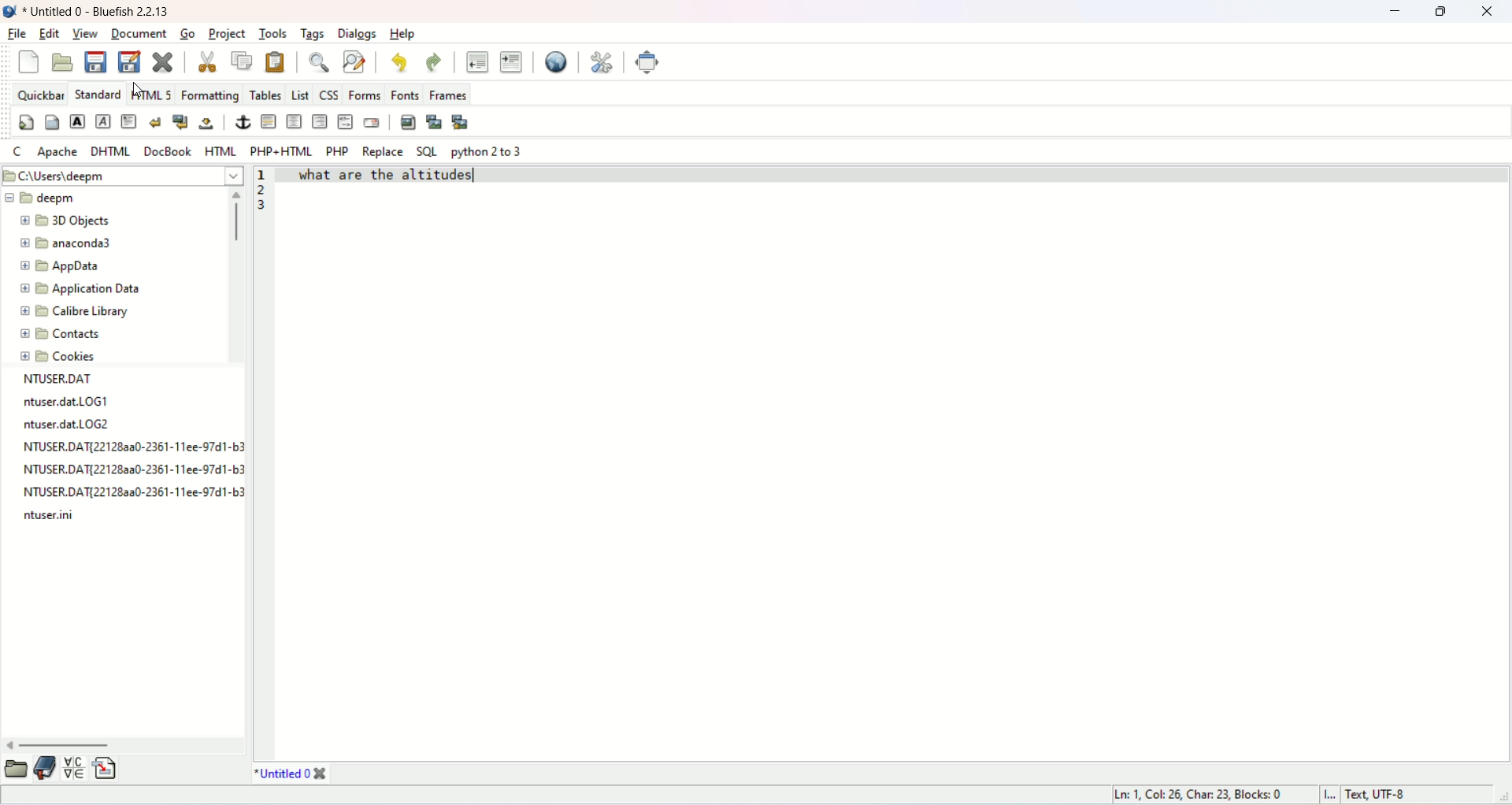 The height and width of the screenshot is (805, 1512). What do you see at coordinates (61, 334) in the screenshot?
I see `contacts` at bounding box center [61, 334].